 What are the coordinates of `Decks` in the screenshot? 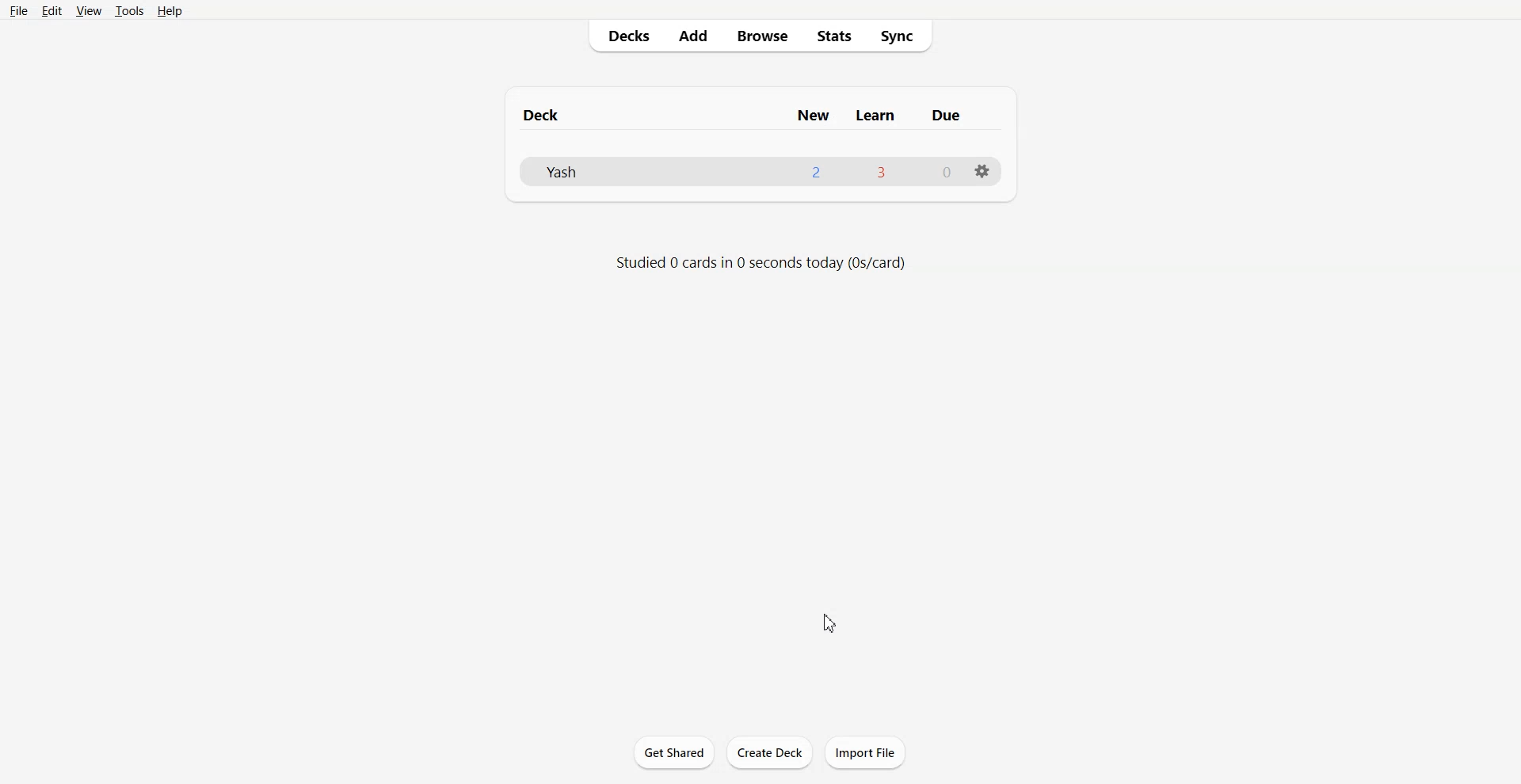 It's located at (622, 36).